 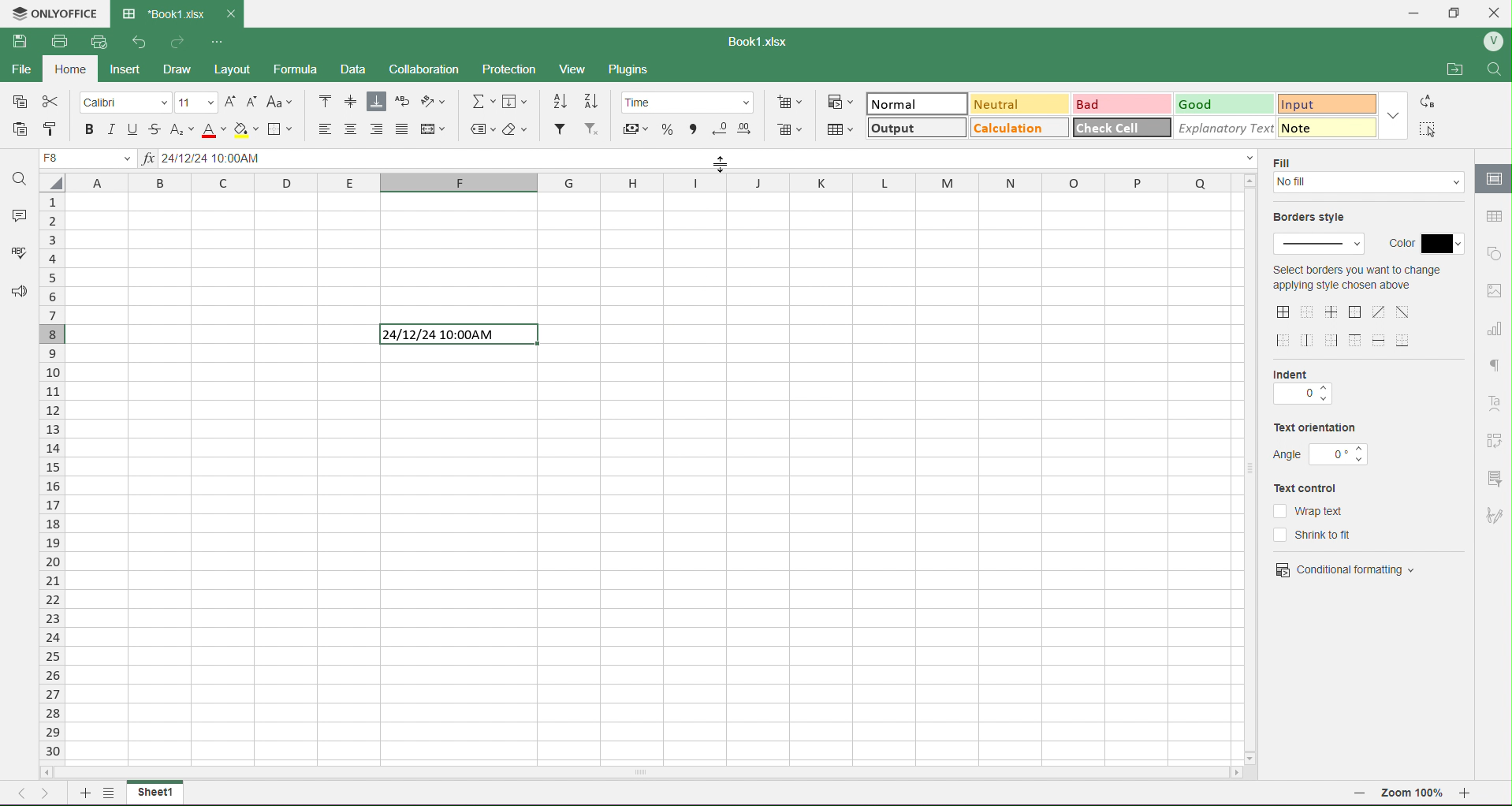 I want to click on Named Ranges, so click(x=481, y=129).